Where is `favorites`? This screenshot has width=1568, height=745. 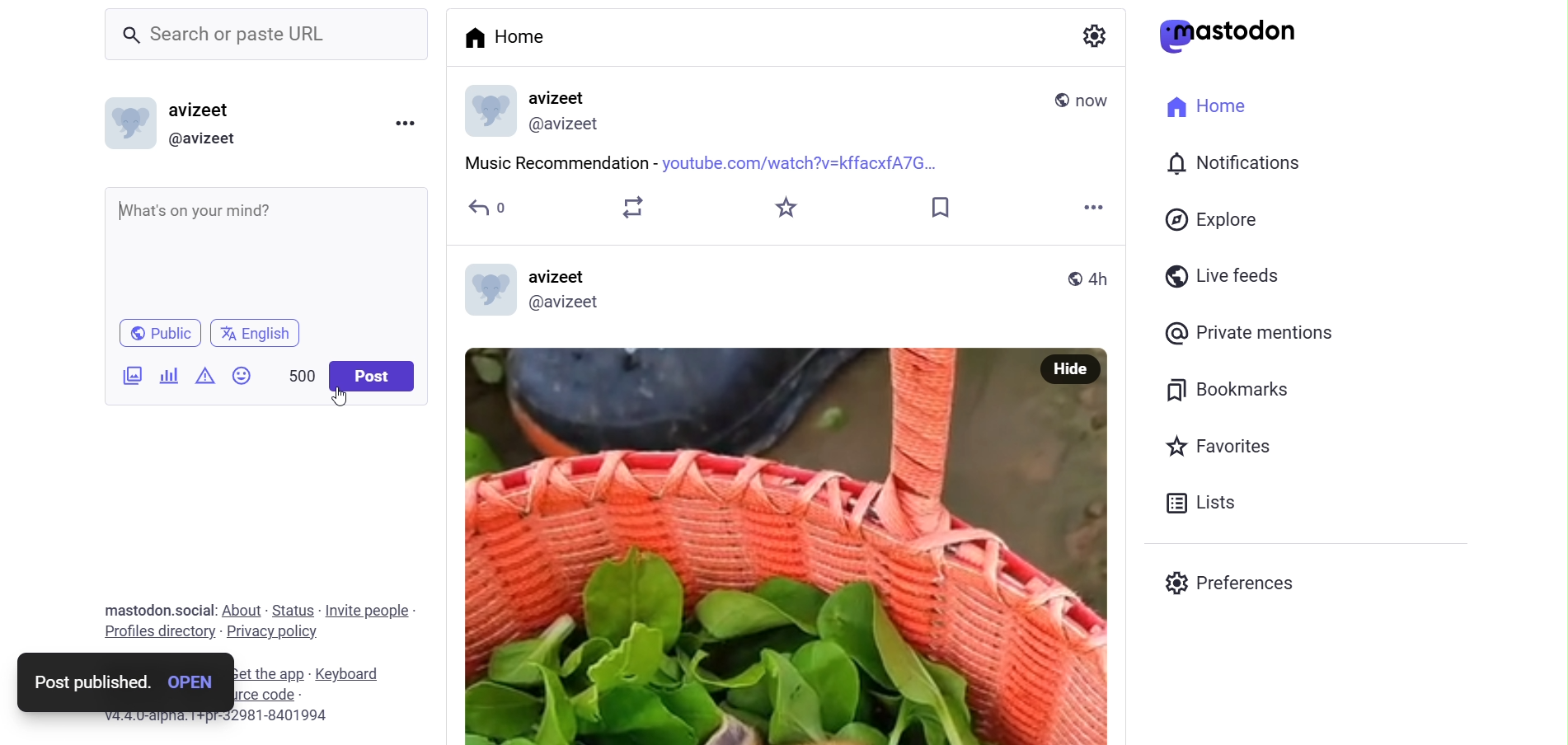
favorites is located at coordinates (789, 208).